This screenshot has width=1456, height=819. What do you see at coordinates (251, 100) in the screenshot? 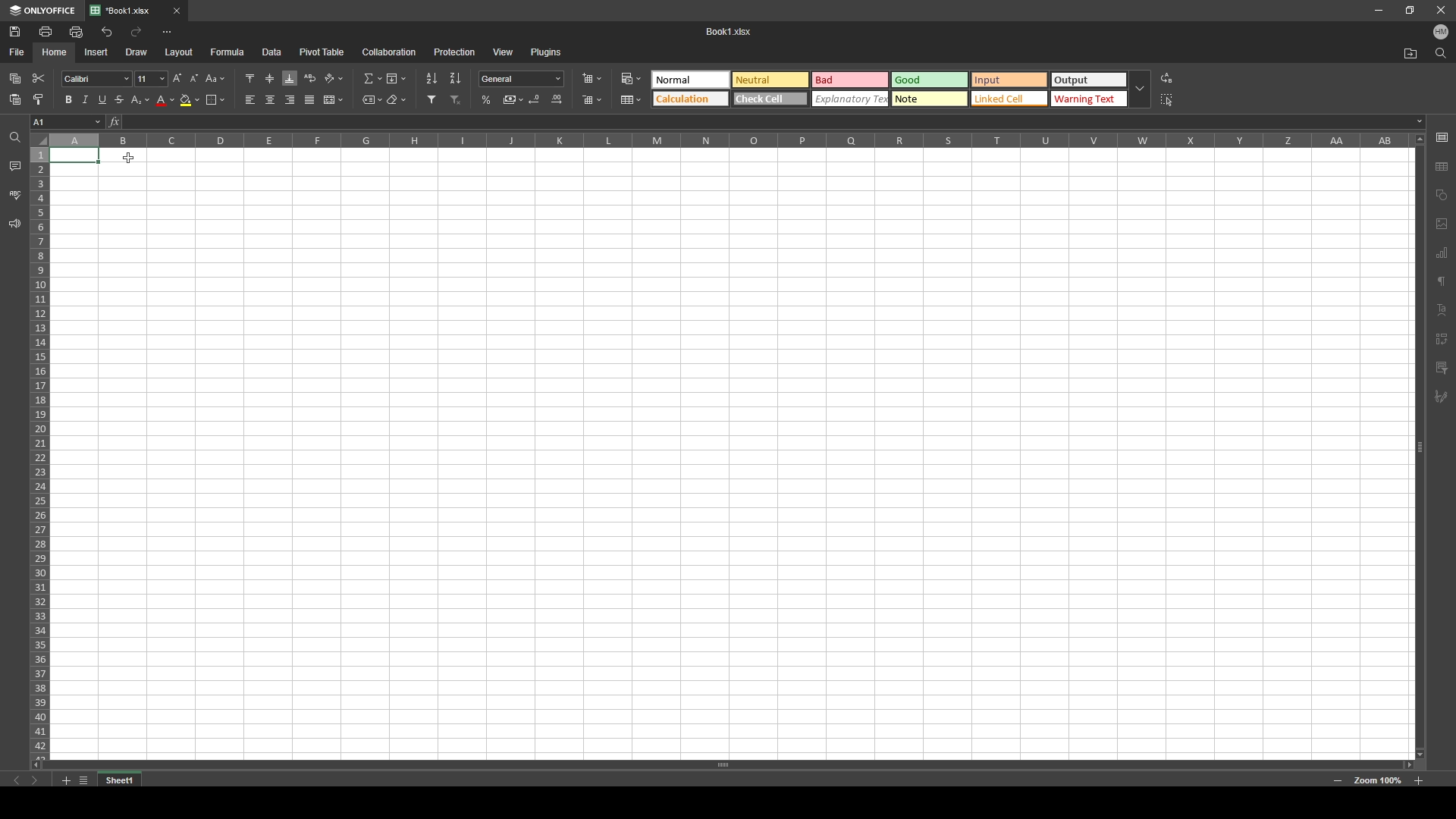
I see `align left` at bounding box center [251, 100].